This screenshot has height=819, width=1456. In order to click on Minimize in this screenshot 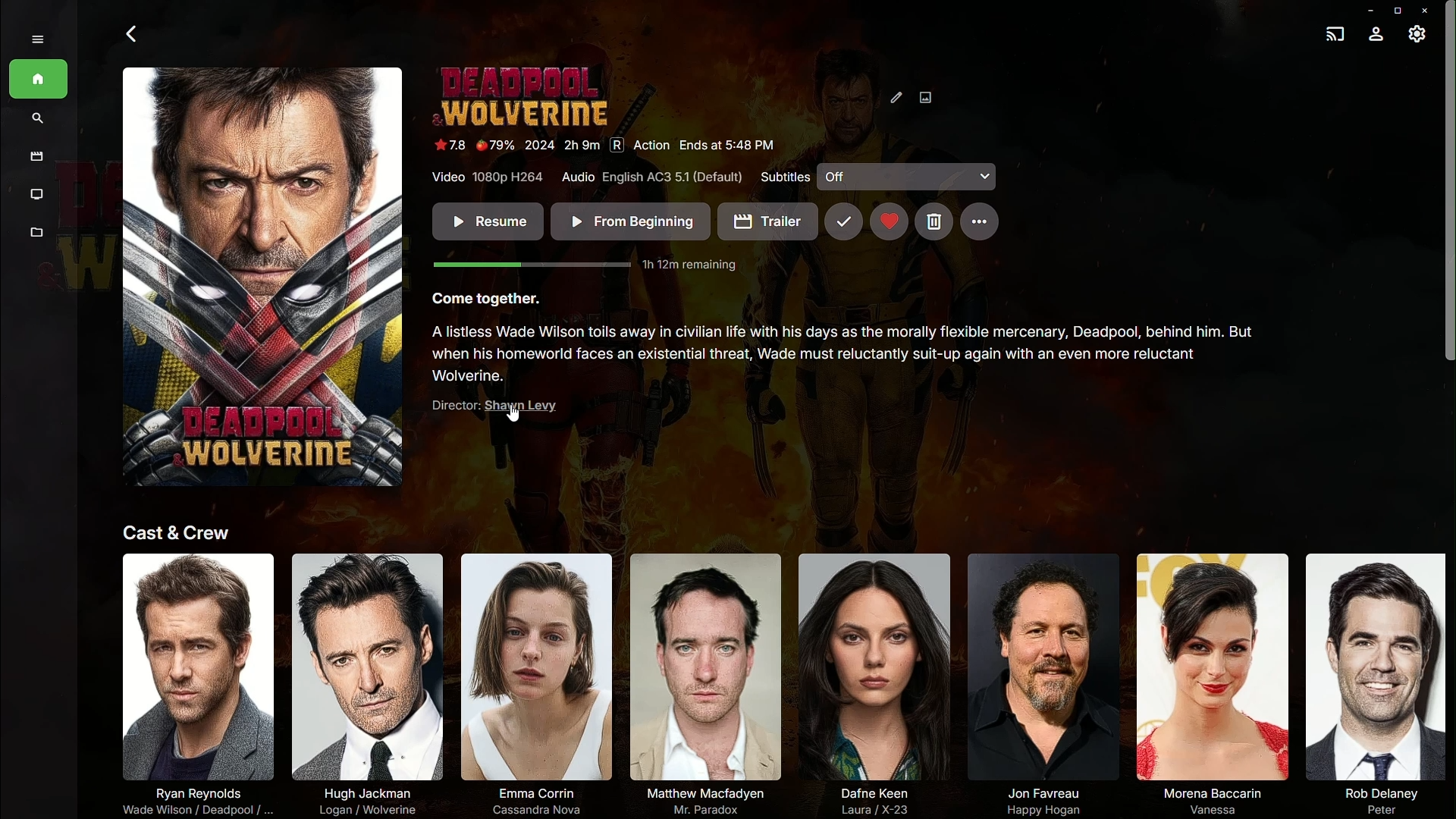, I will do `click(1367, 8)`.